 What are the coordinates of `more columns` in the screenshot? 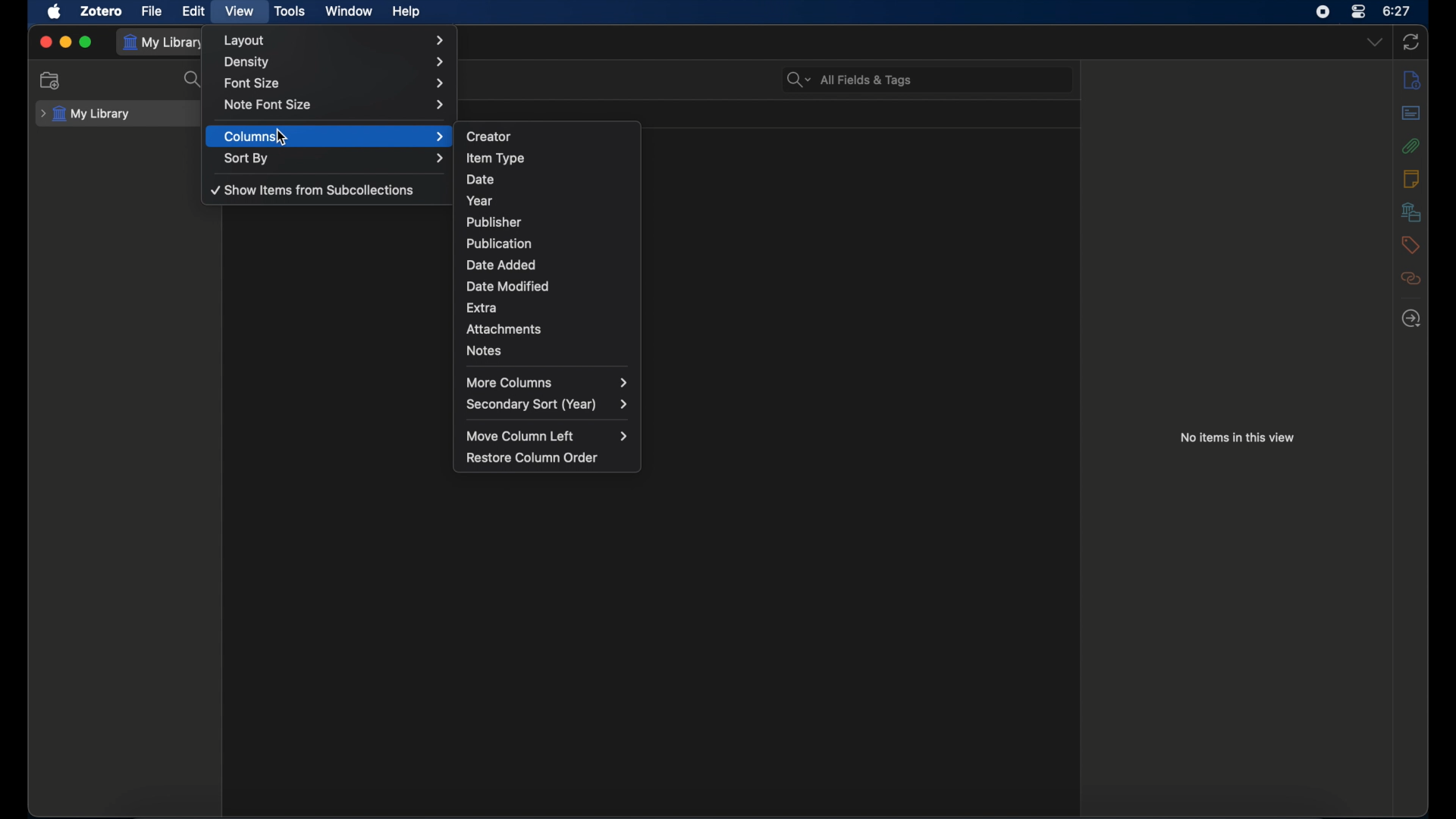 It's located at (548, 382).